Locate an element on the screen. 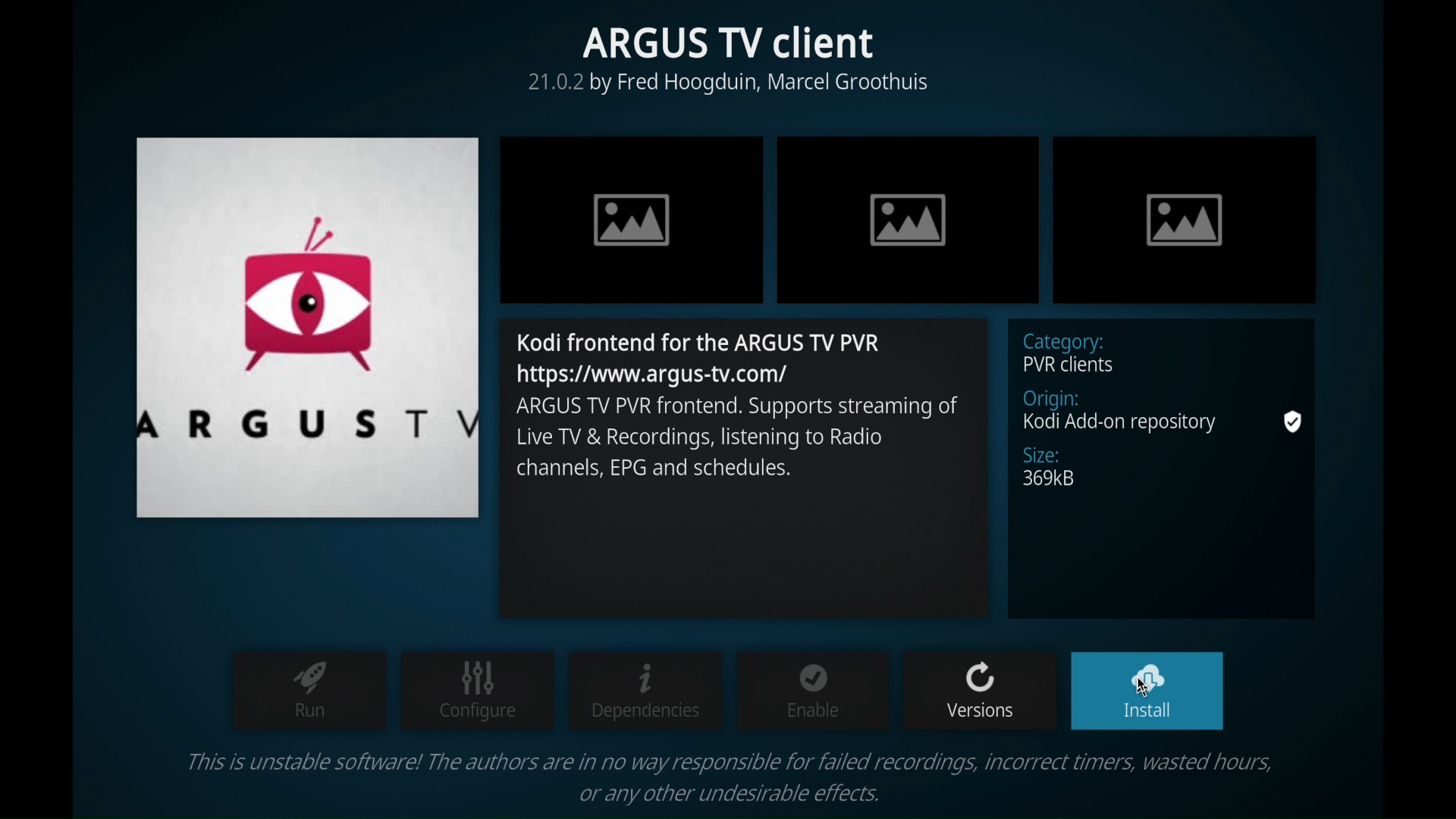 The height and width of the screenshot is (819, 1456). This Is unstable software! The authors are in no way responsible for failed recordings, incorrect timers, wasted hours,
or any other undesirable effects. is located at coordinates (740, 776).